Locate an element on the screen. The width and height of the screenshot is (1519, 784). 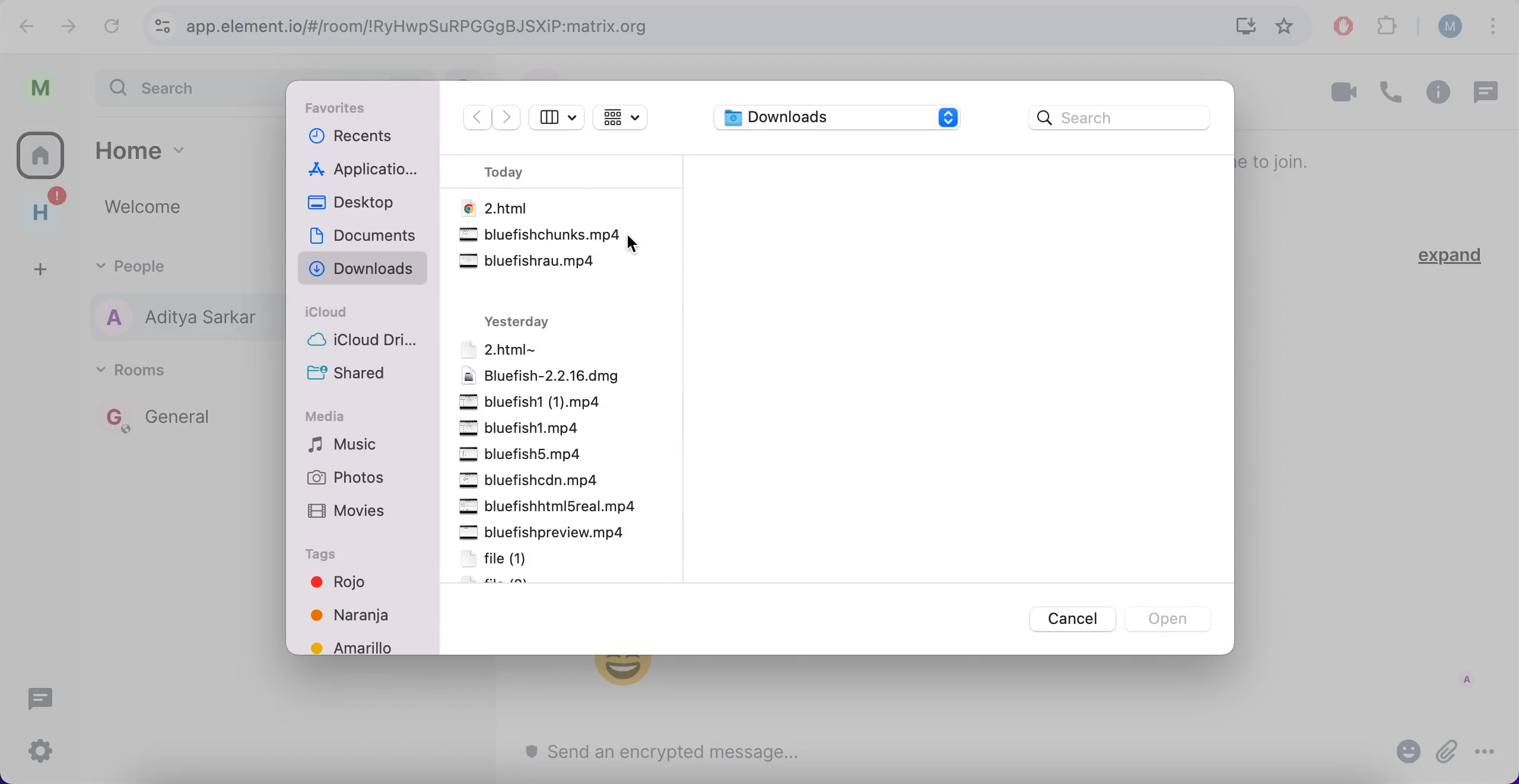
home is located at coordinates (185, 147).